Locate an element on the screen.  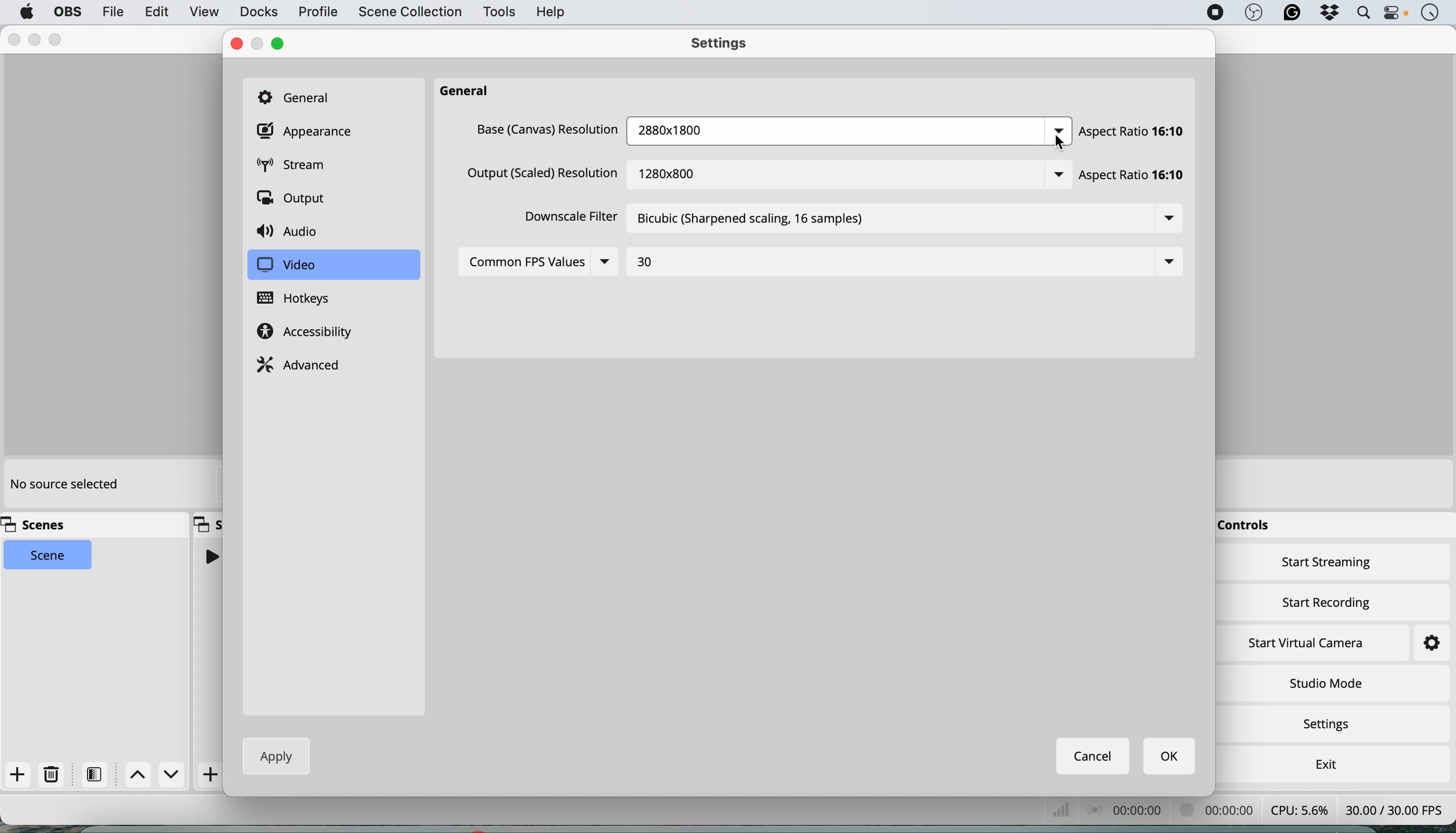
base canvas resolution is located at coordinates (548, 133).